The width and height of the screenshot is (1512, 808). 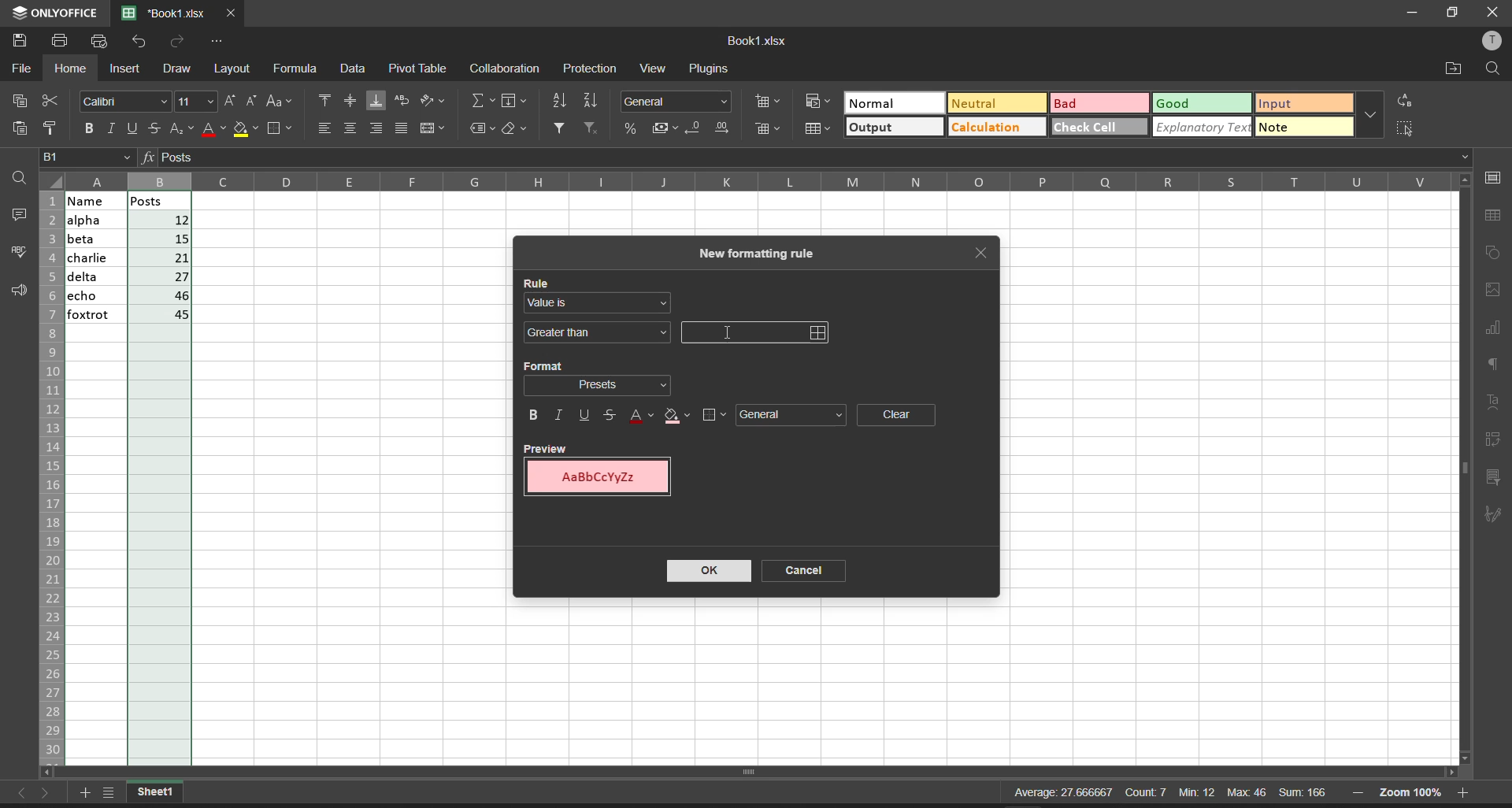 What do you see at coordinates (253, 98) in the screenshot?
I see `decrement font size` at bounding box center [253, 98].